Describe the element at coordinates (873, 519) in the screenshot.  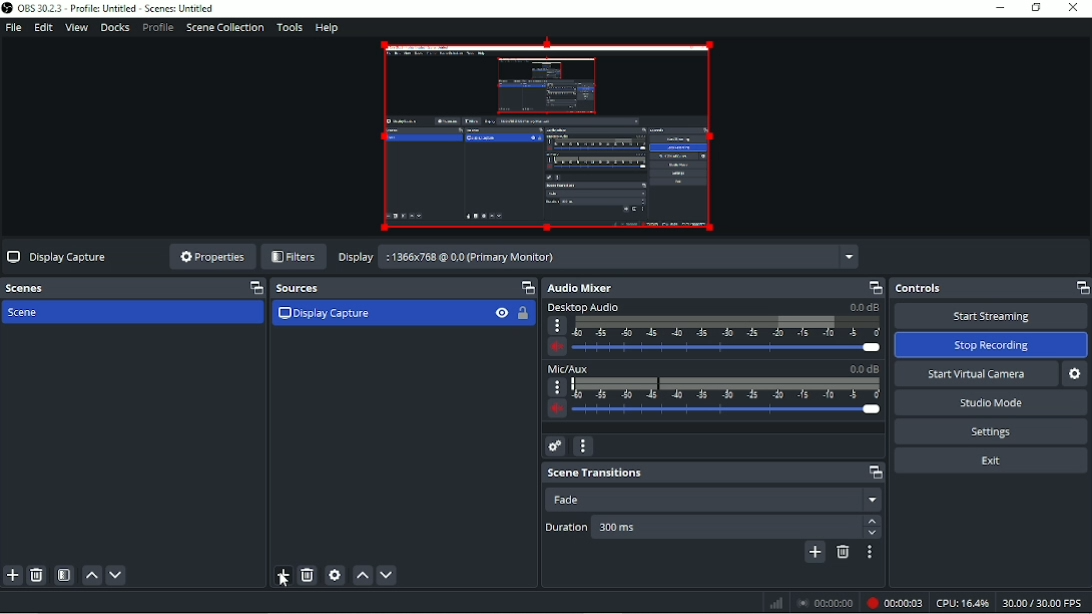
I see `Up arrow` at that location.